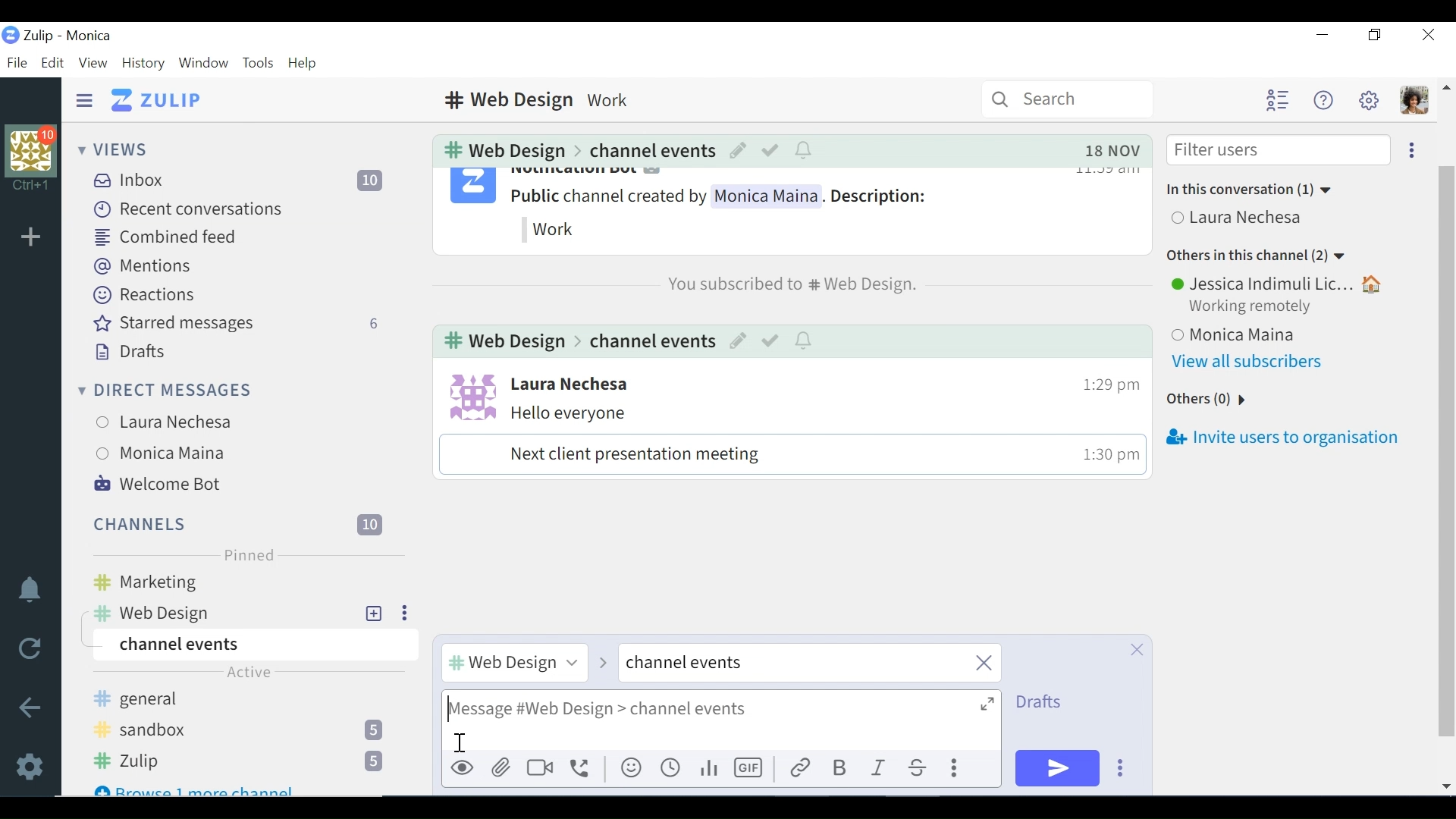 The width and height of the screenshot is (1456, 819). What do you see at coordinates (245, 732) in the screenshot?
I see `sandbox Channel` at bounding box center [245, 732].